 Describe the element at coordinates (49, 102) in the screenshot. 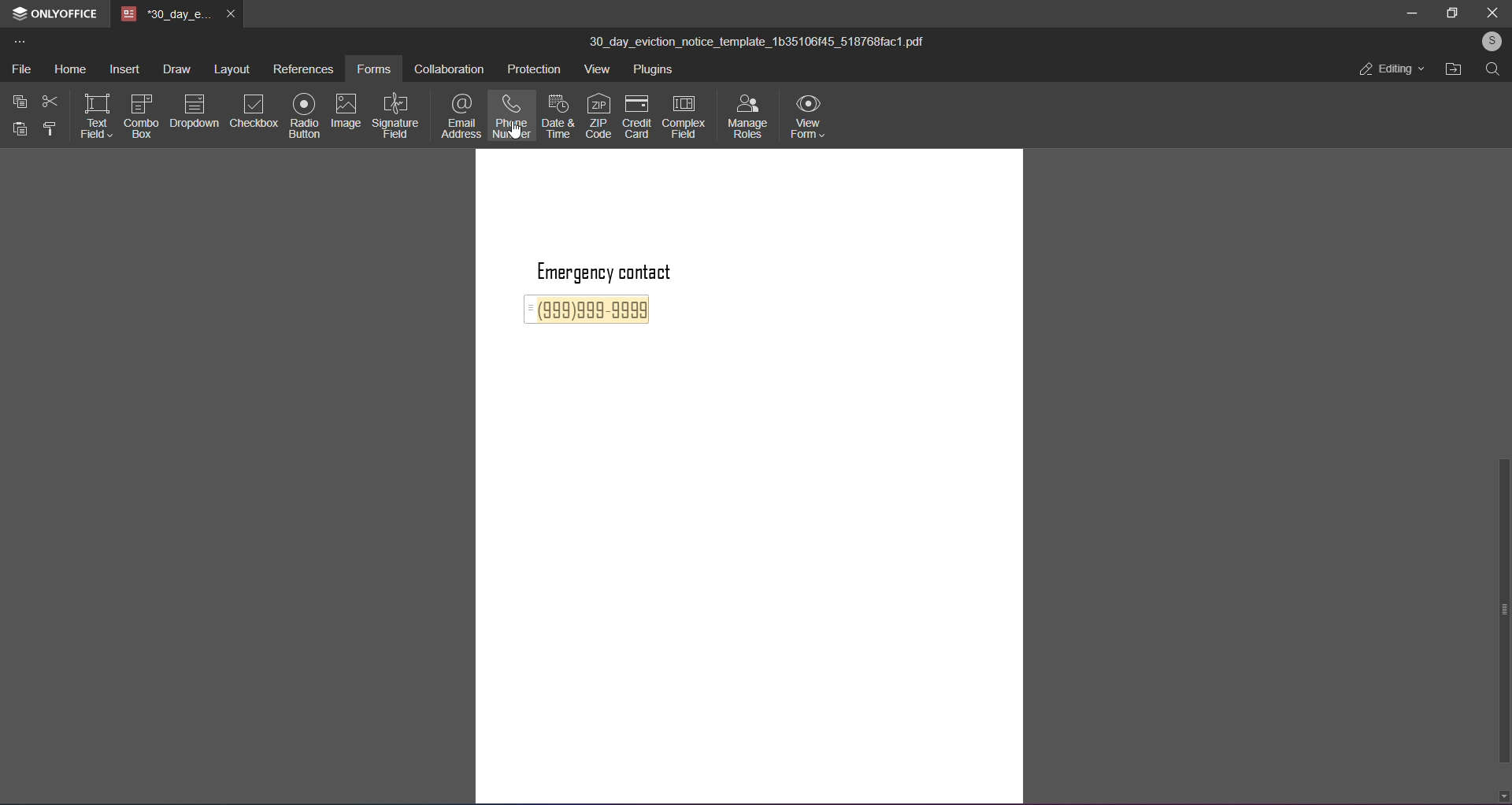

I see `cut` at that location.